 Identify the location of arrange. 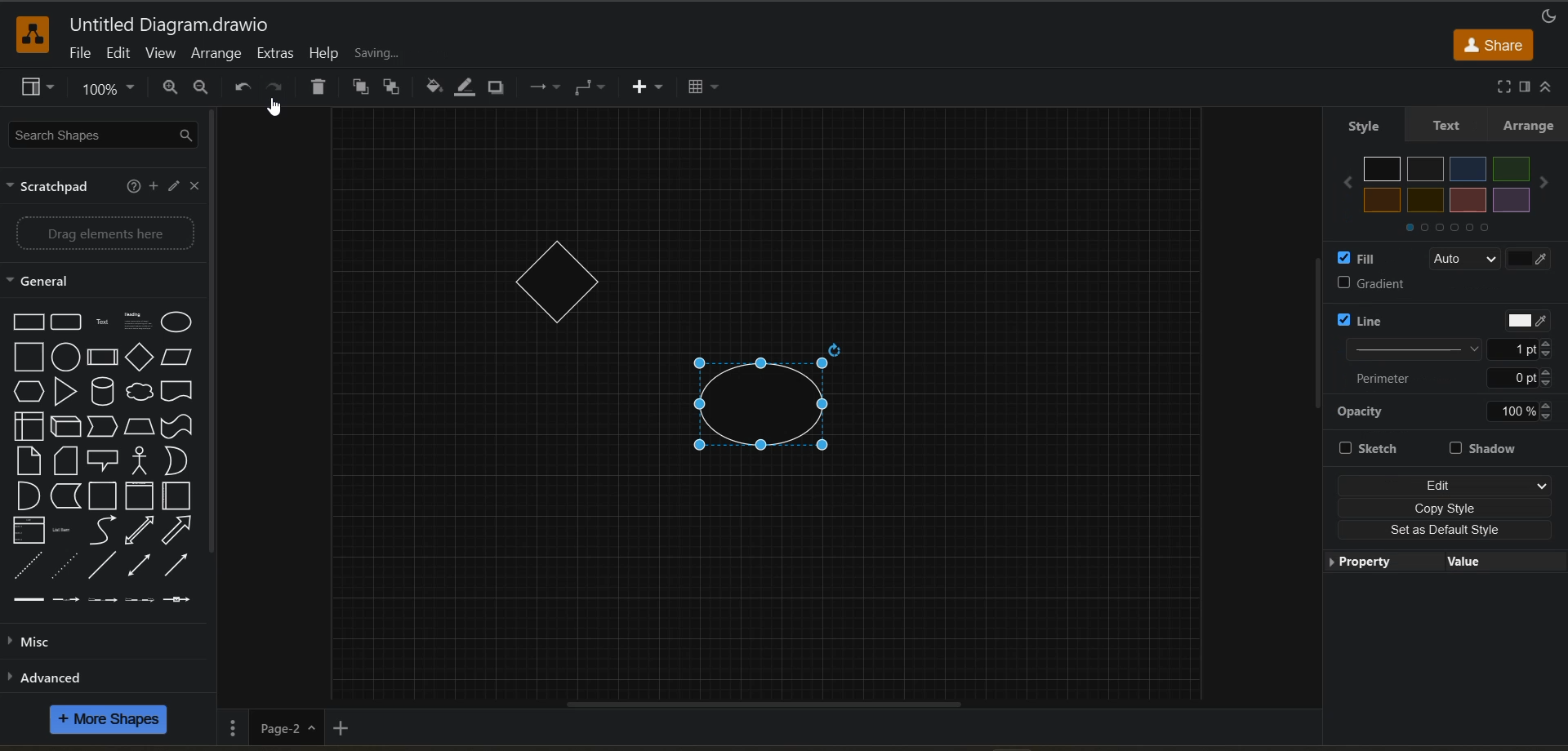
(214, 56).